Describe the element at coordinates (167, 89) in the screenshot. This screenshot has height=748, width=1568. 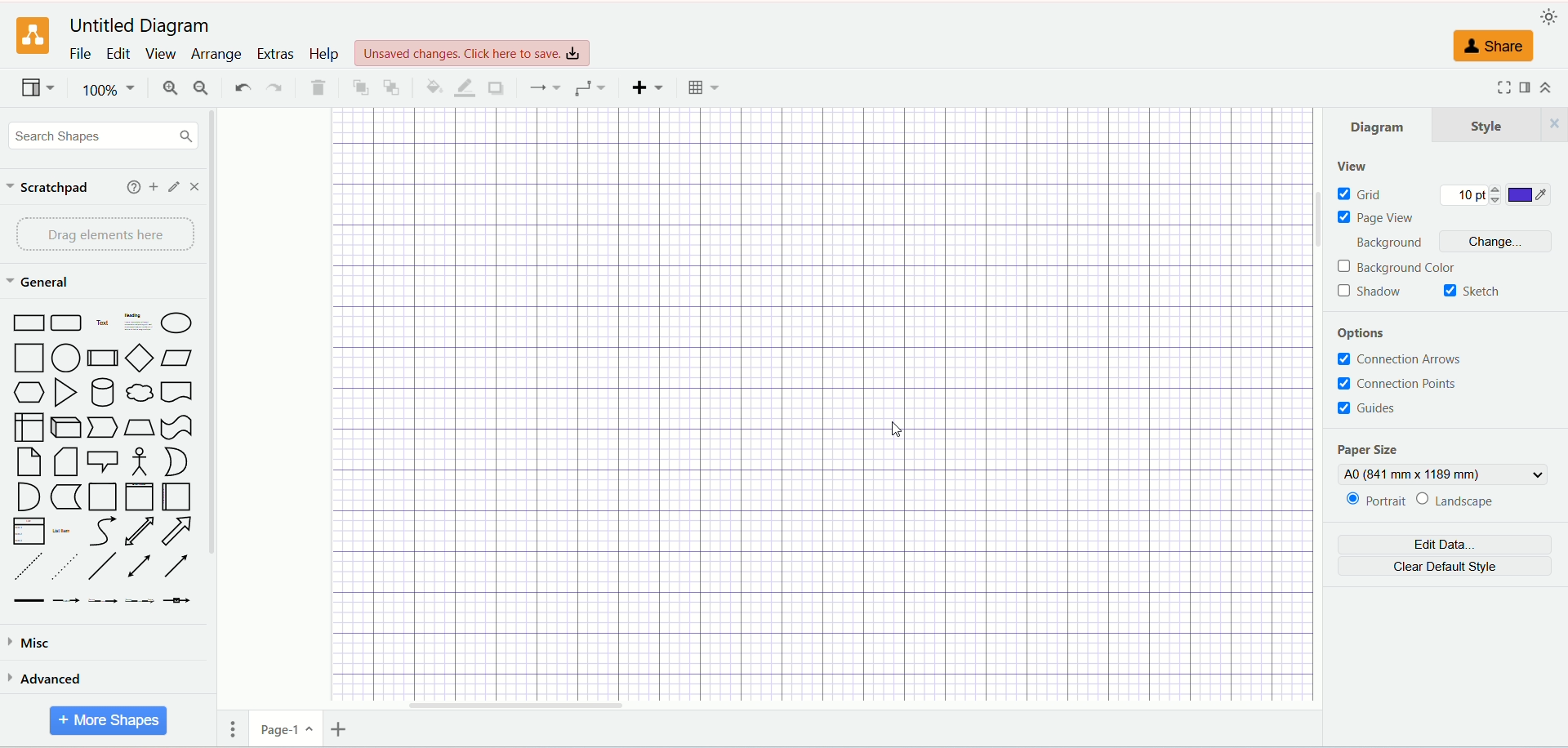
I see `zoom in` at that location.